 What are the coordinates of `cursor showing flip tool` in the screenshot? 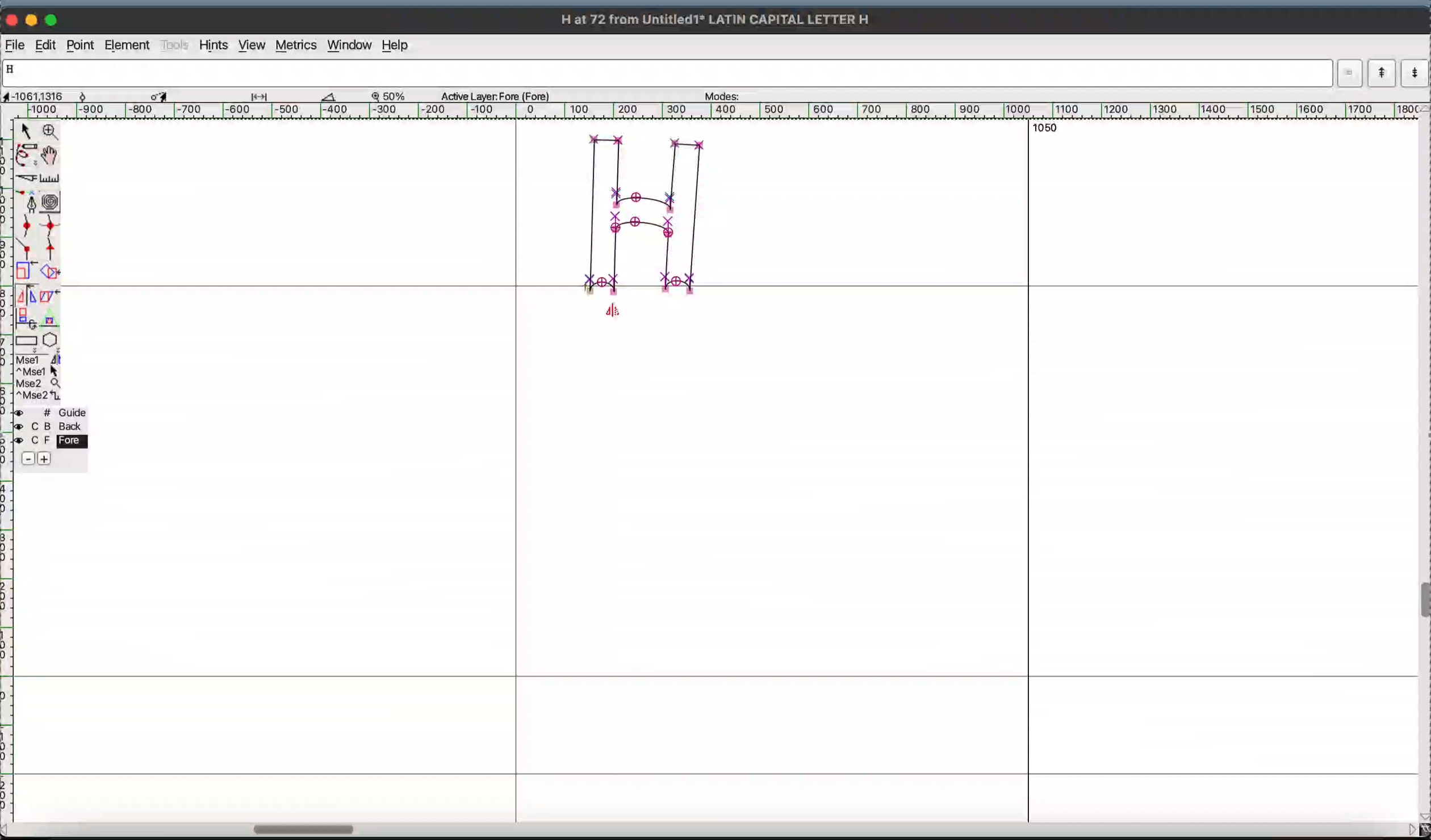 It's located at (612, 313).